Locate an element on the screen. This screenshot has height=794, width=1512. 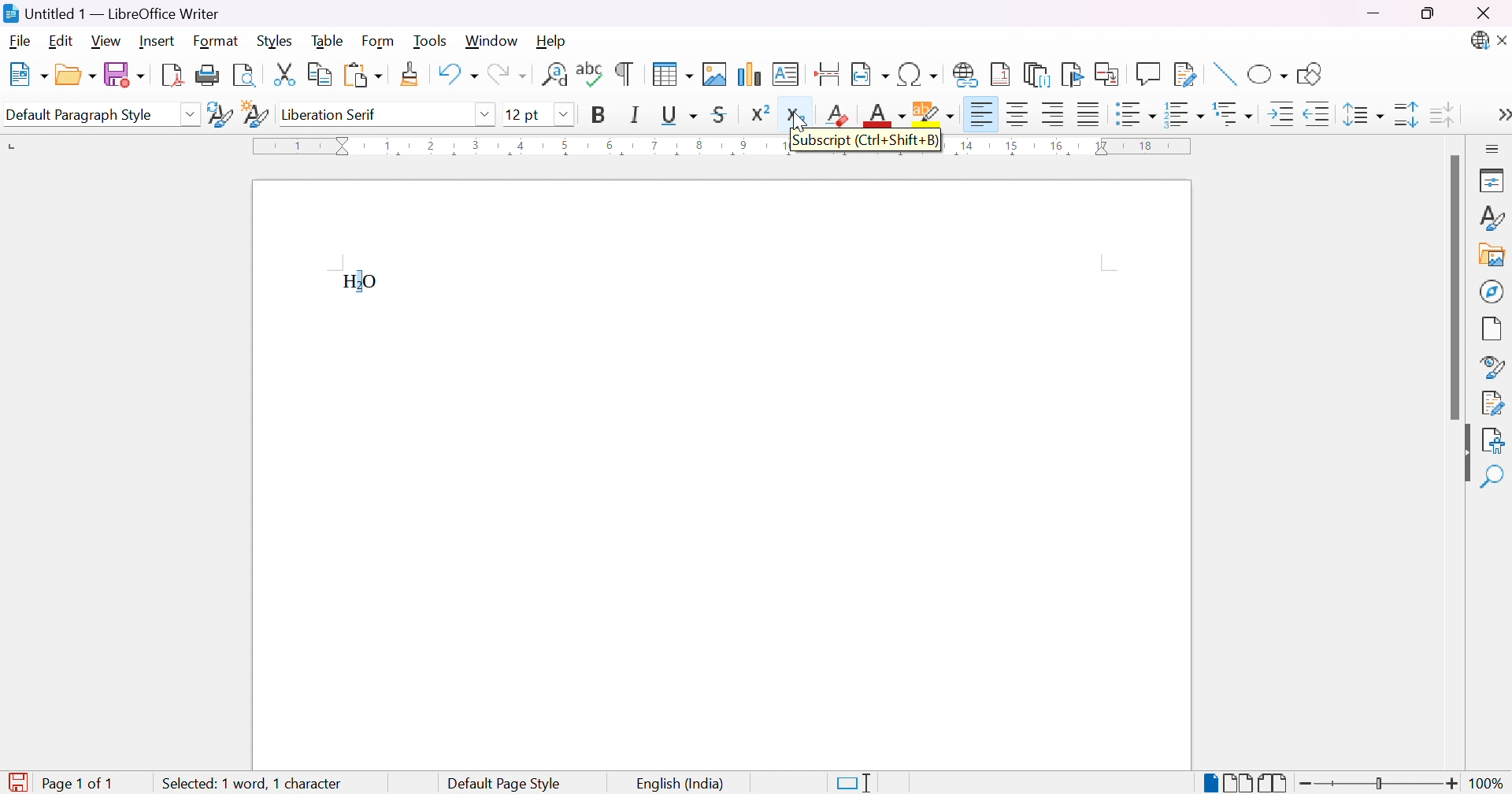
Insert image is located at coordinates (1493, 257).